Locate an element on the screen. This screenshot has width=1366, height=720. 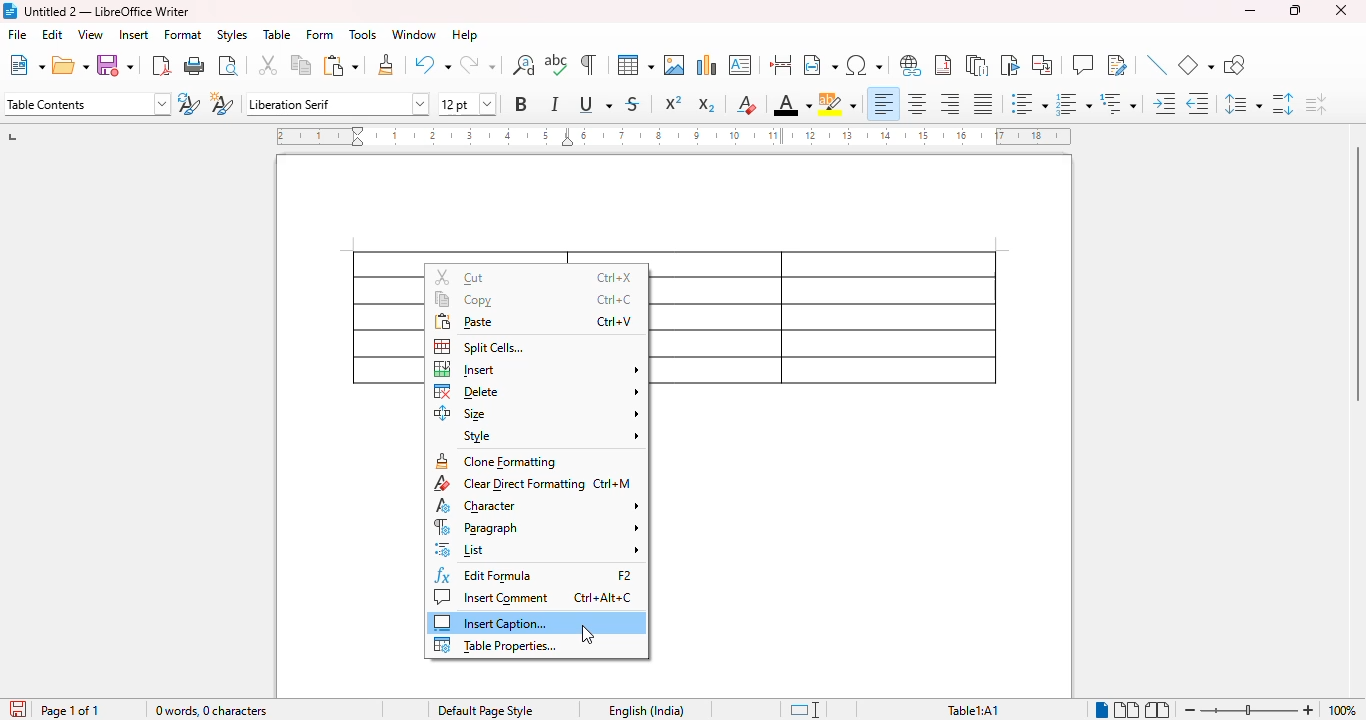
update selected style is located at coordinates (188, 103).